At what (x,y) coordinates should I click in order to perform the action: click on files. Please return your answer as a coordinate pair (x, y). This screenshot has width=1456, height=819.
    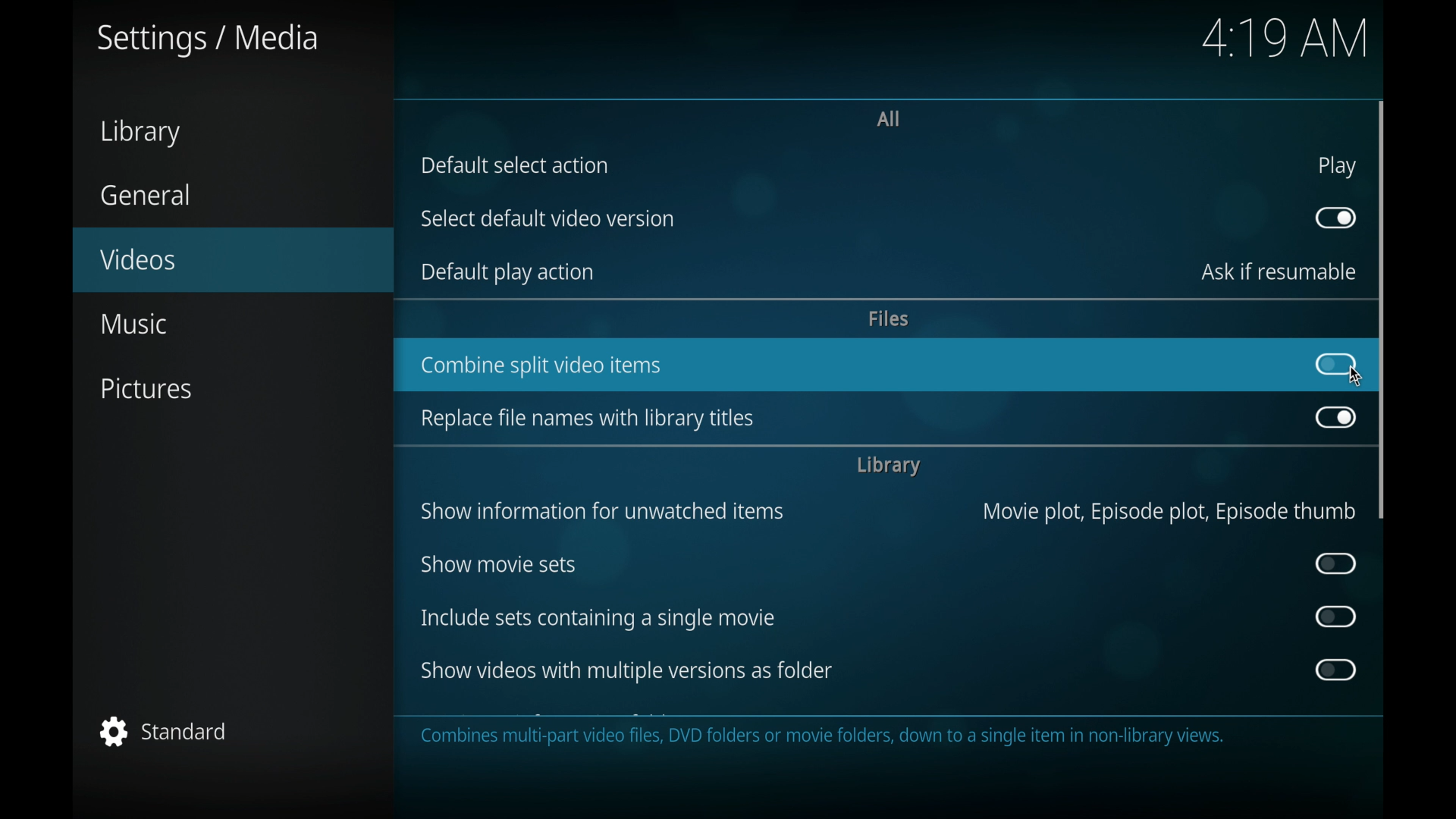
    Looking at the image, I should click on (890, 319).